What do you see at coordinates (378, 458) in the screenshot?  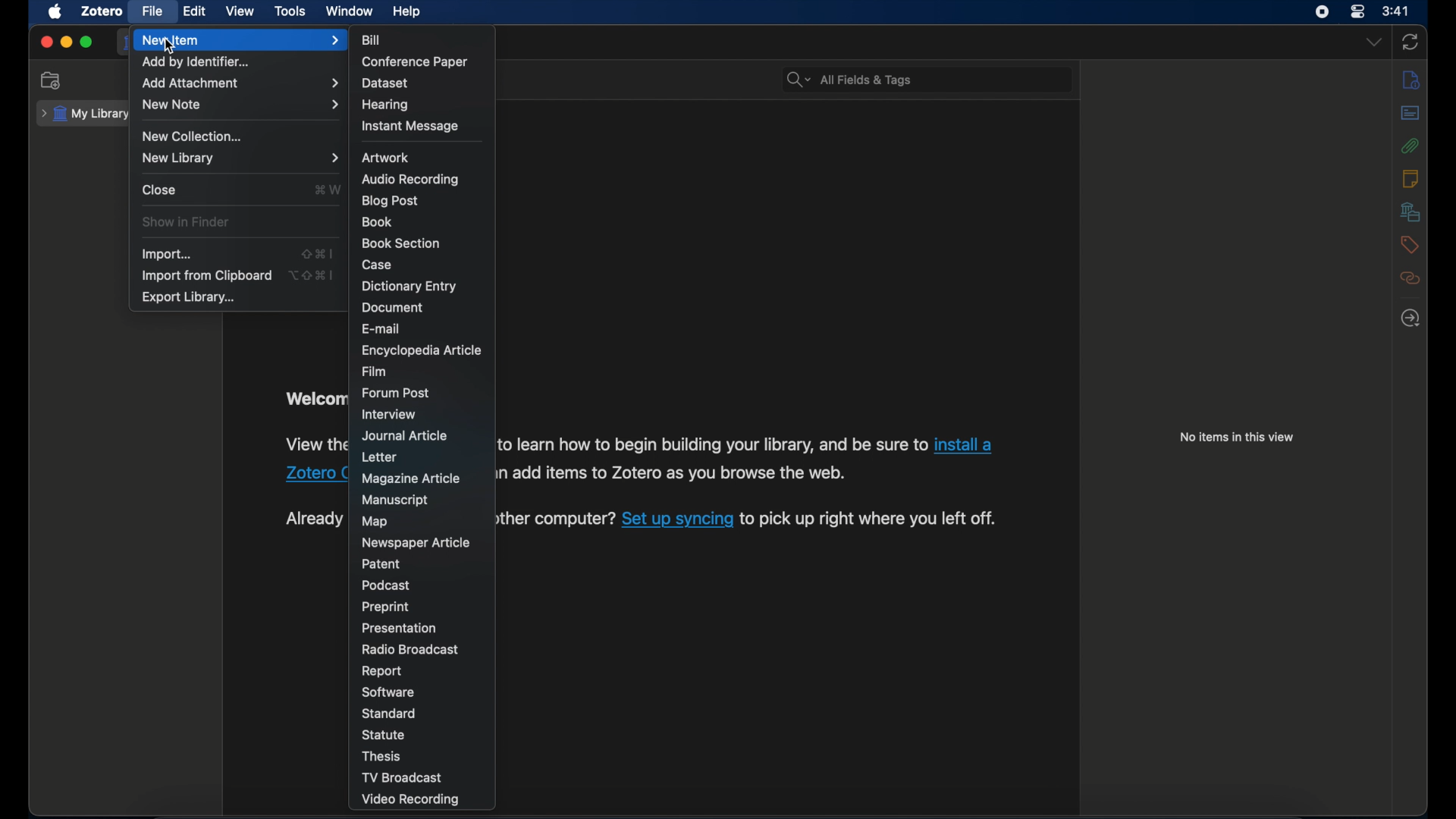 I see `letter` at bounding box center [378, 458].